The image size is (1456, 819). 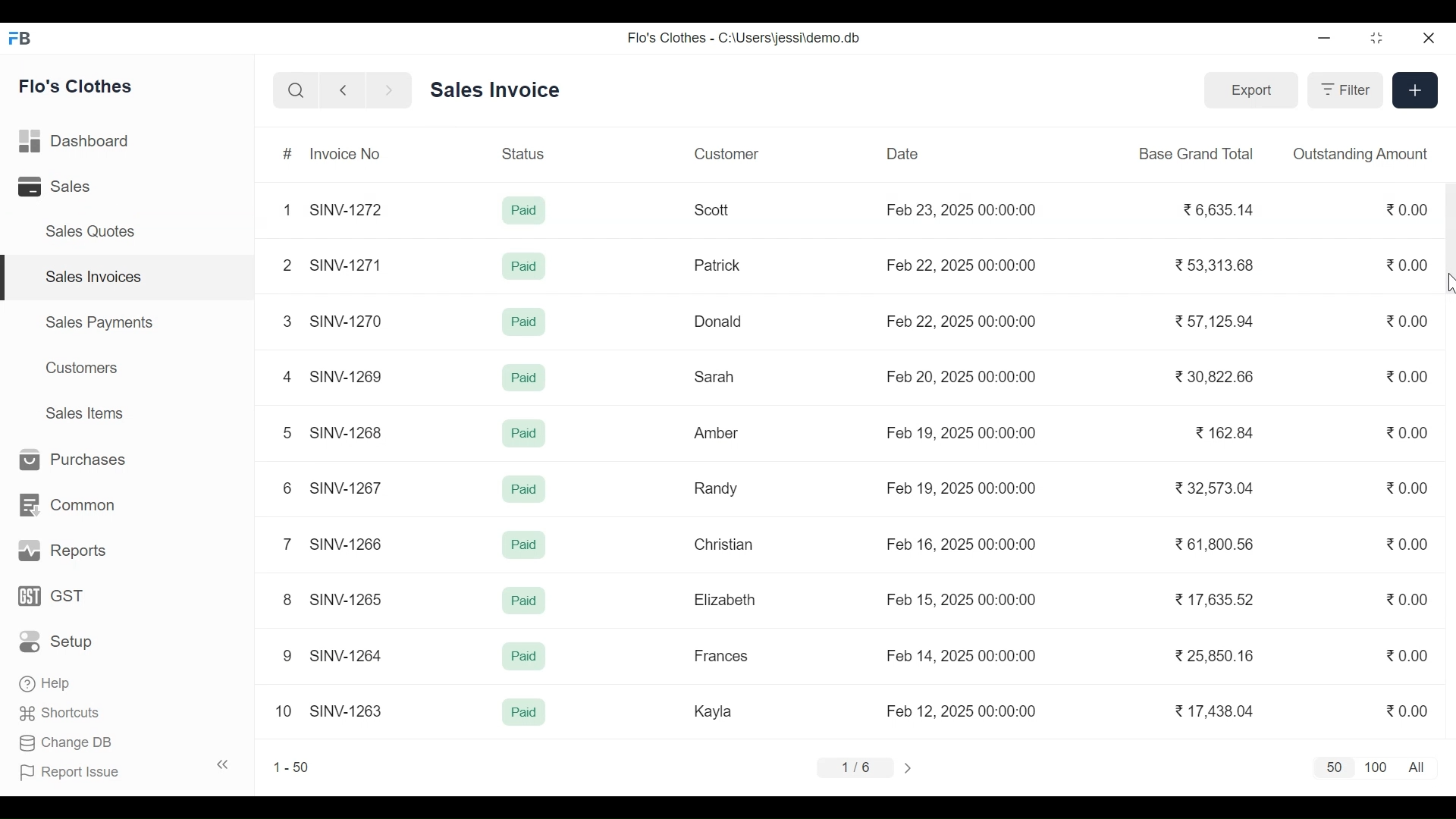 What do you see at coordinates (1408, 376) in the screenshot?
I see `0.00` at bounding box center [1408, 376].